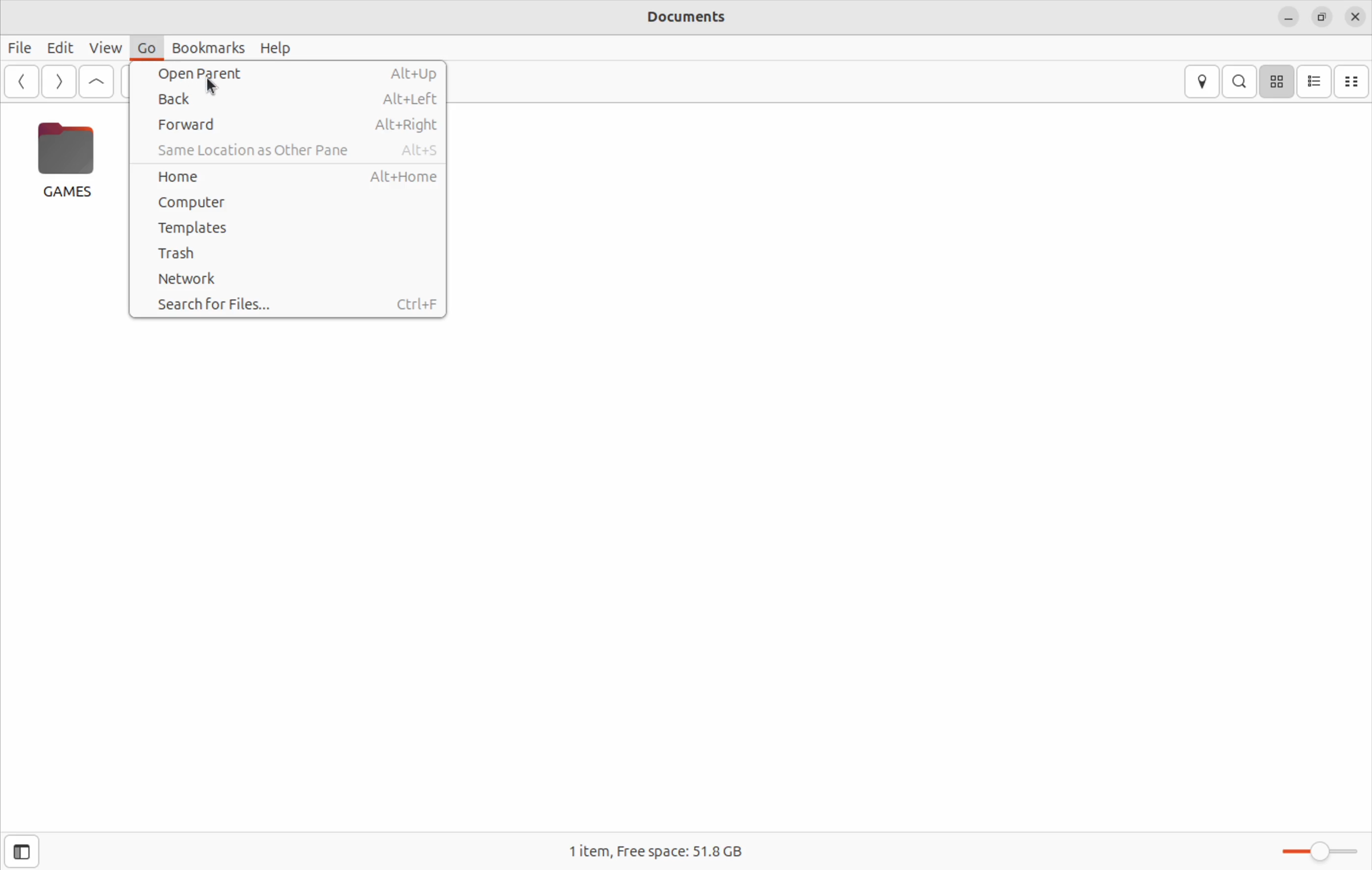 The width and height of the screenshot is (1372, 870). What do you see at coordinates (20, 46) in the screenshot?
I see `file` at bounding box center [20, 46].